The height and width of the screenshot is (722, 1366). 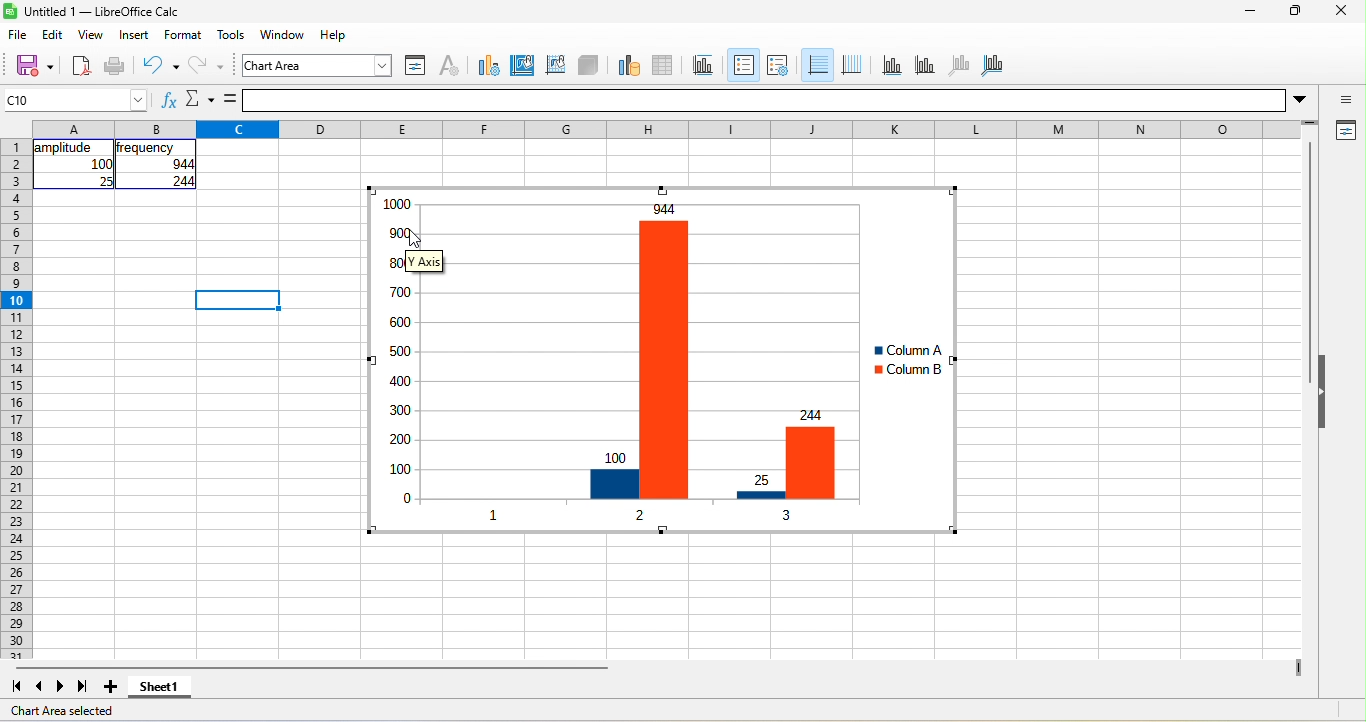 What do you see at coordinates (523, 63) in the screenshot?
I see `chart area` at bounding box center [523, 63].